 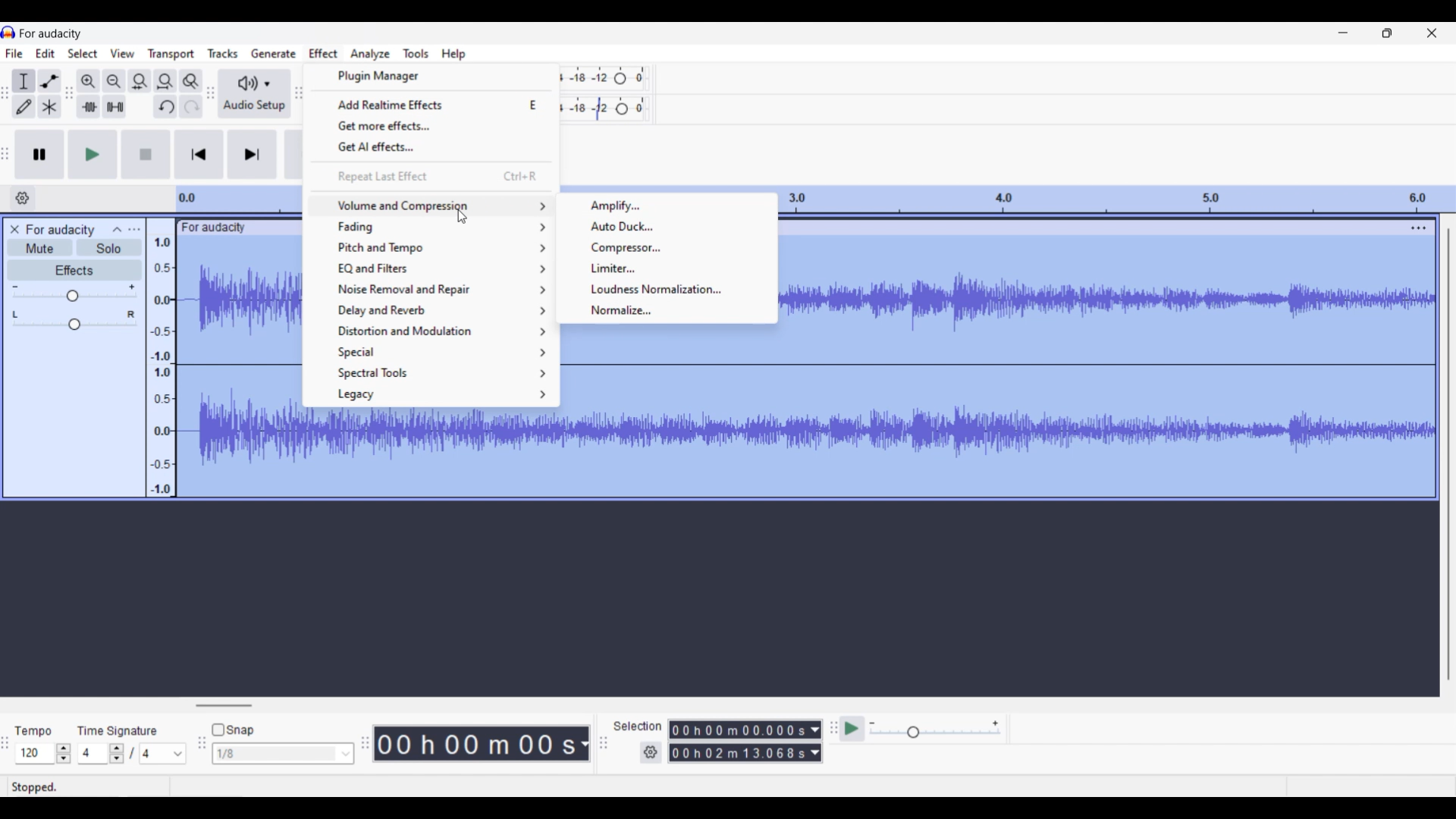 What do you see at coordinates (89, 107) in the screenshot?
I see `Trim audio outside selection` at bounding box center [89, 107].